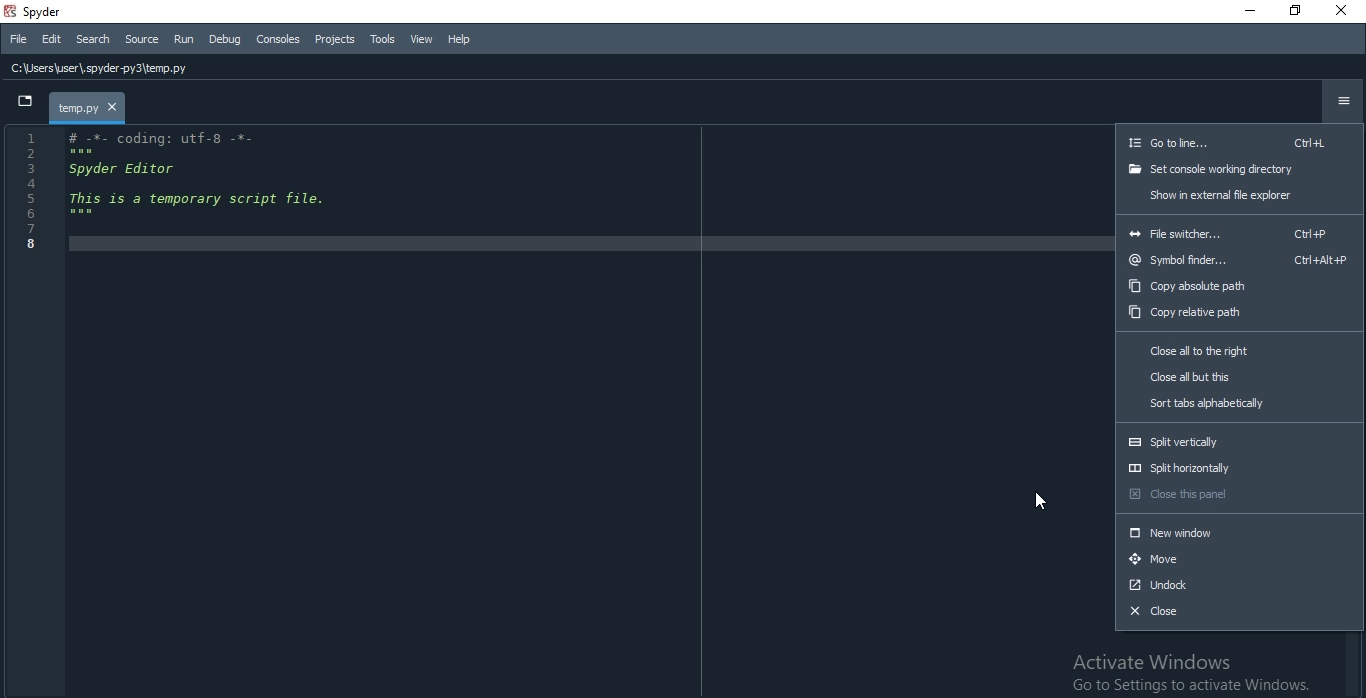 The image size is (1366, 698). Describe the element at coordinates (1297, 11) in the screenshot. I see `Restore` at that location.